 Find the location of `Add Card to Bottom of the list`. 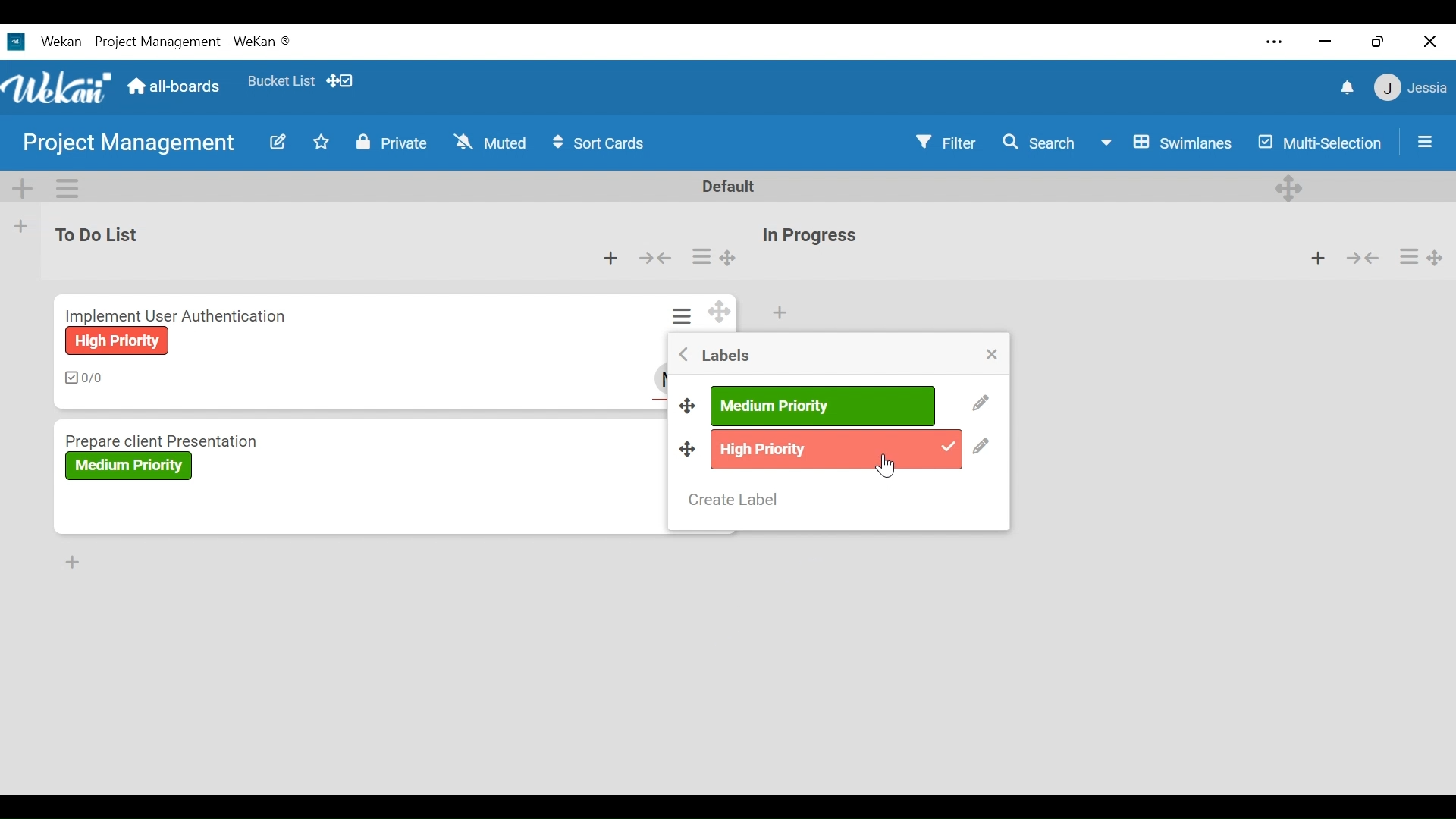

Add Card to Bottom of the list is located at coordinates (74, 562).